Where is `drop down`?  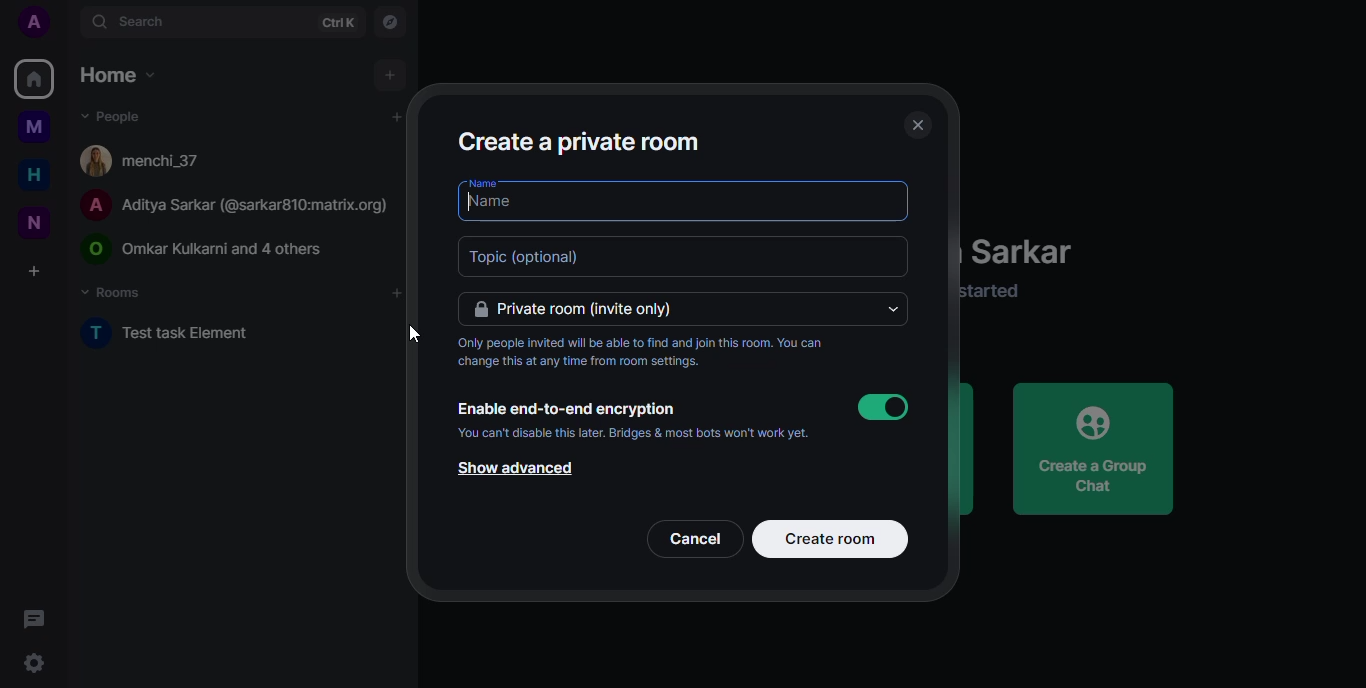
drop down is located at coordinates (893, 308).